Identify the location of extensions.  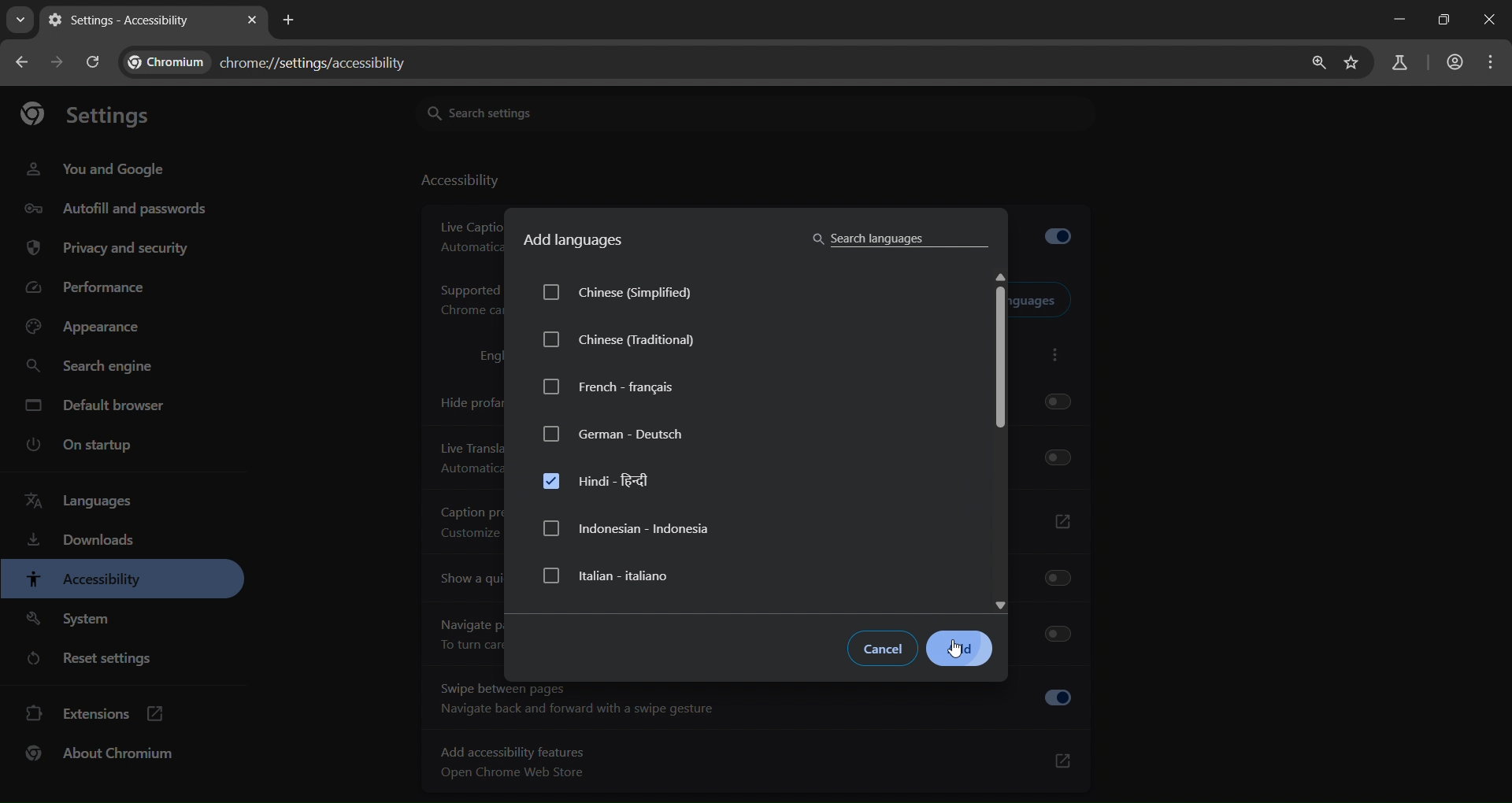
(92, 715).